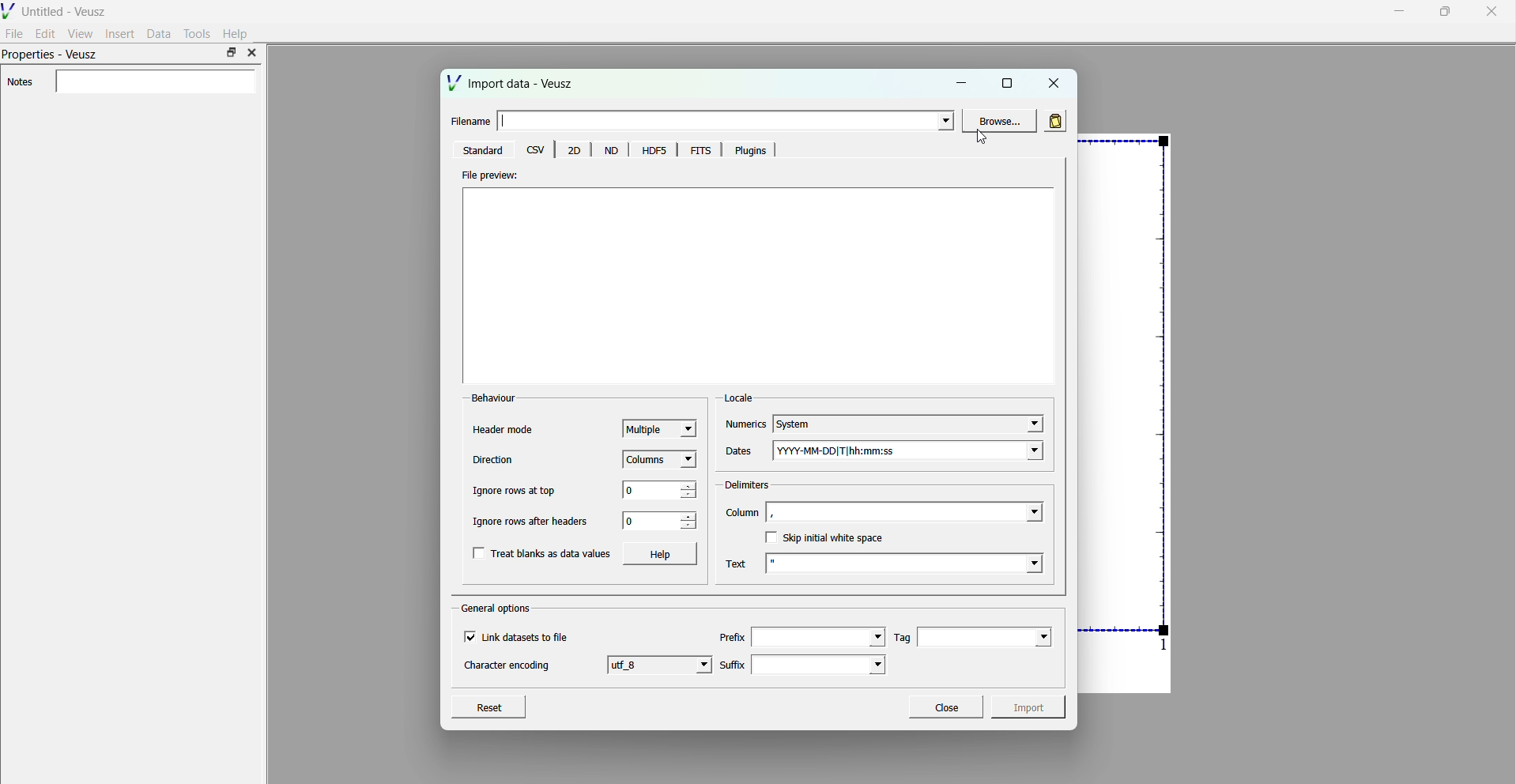 The image size is (1516, 784). I want to click on enter file name field, so click(728, 122).